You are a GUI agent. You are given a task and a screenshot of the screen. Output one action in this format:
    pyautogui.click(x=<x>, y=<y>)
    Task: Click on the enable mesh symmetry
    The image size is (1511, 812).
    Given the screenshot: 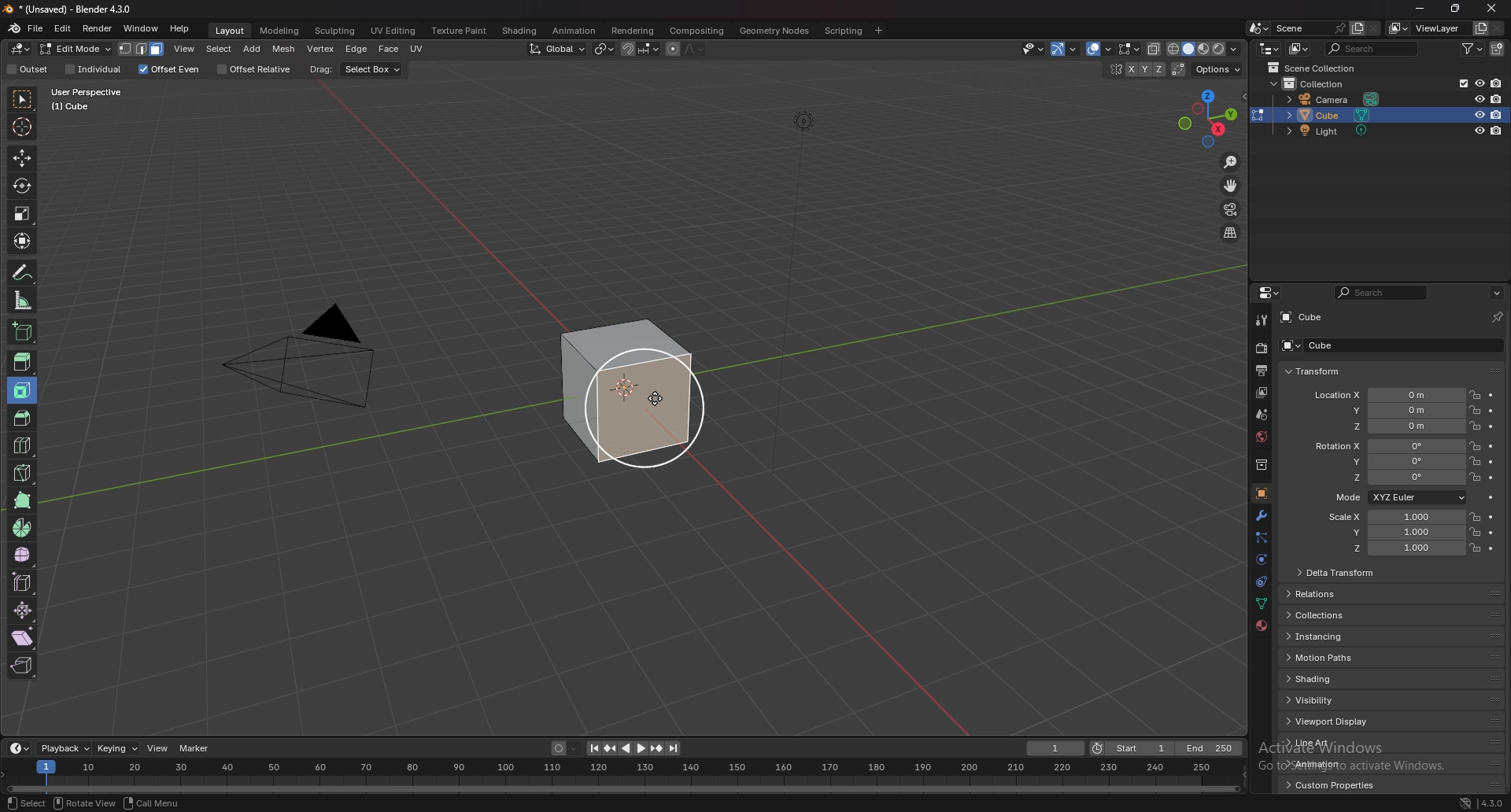 What is the action you would take?
    pyautogui.click(x=1134, y=69)
    